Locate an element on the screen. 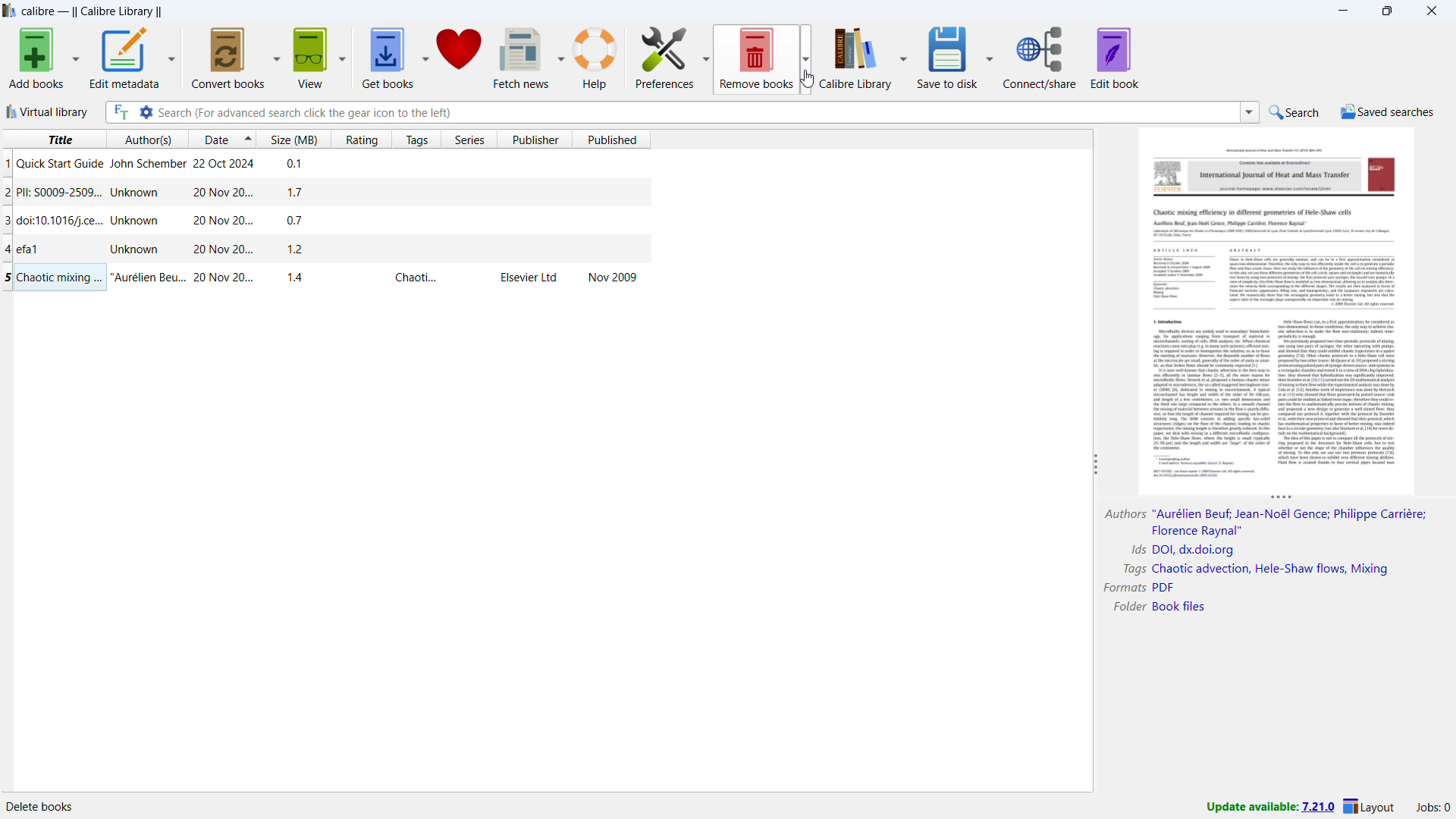 This screenshot has height=819, width=1456. sort by date is located at coordinates (214, 139).